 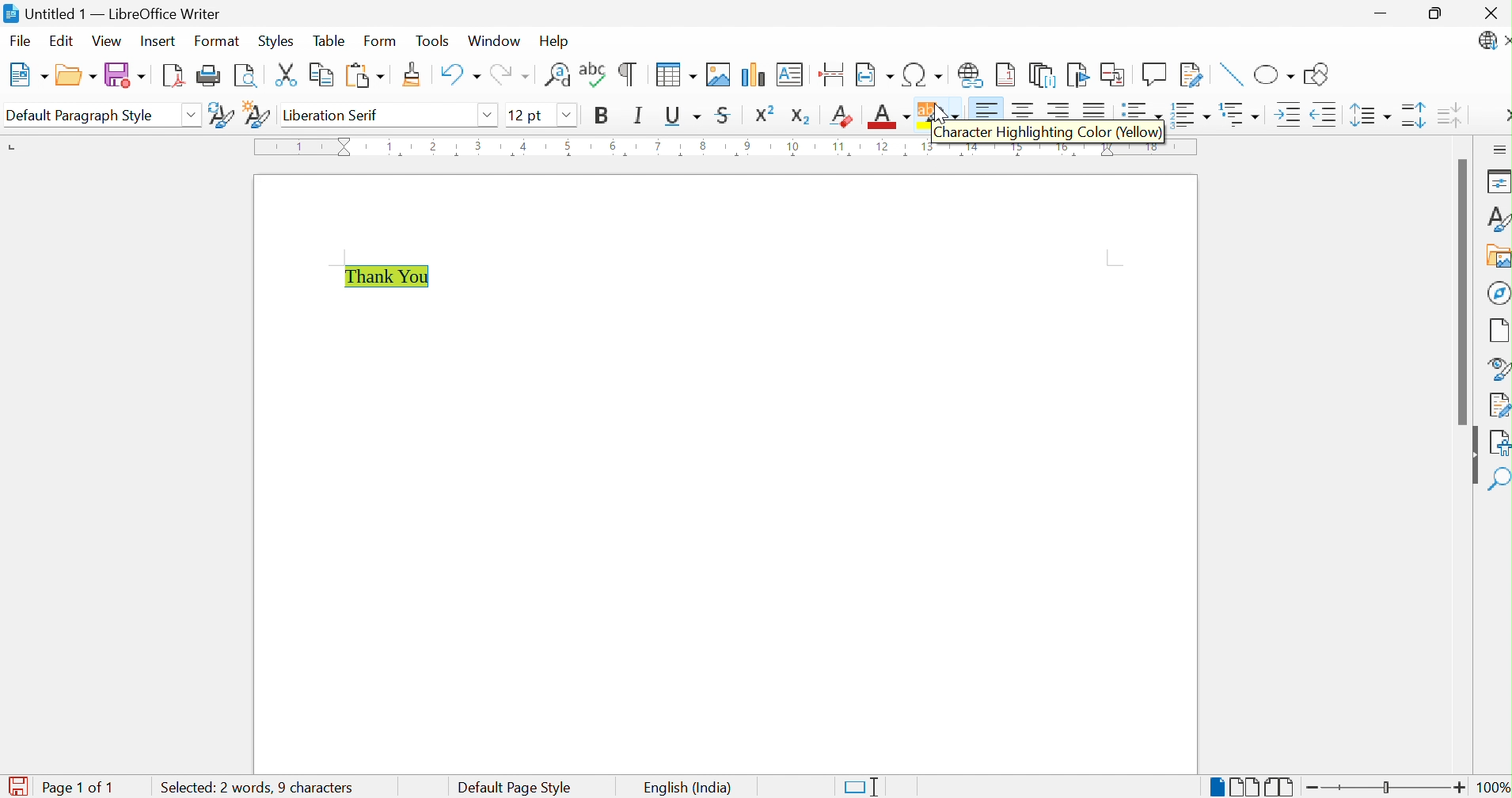 I want to click on New Style from Selection, so click(x=256, y=113).